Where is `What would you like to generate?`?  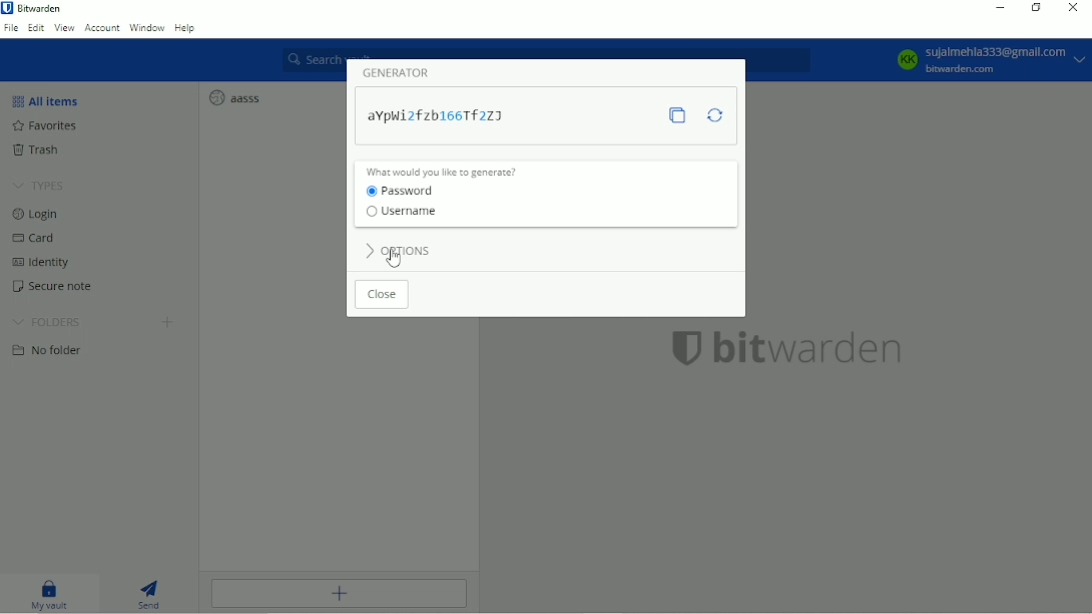 What would you like to generate? is located at coordinates (445, 171).